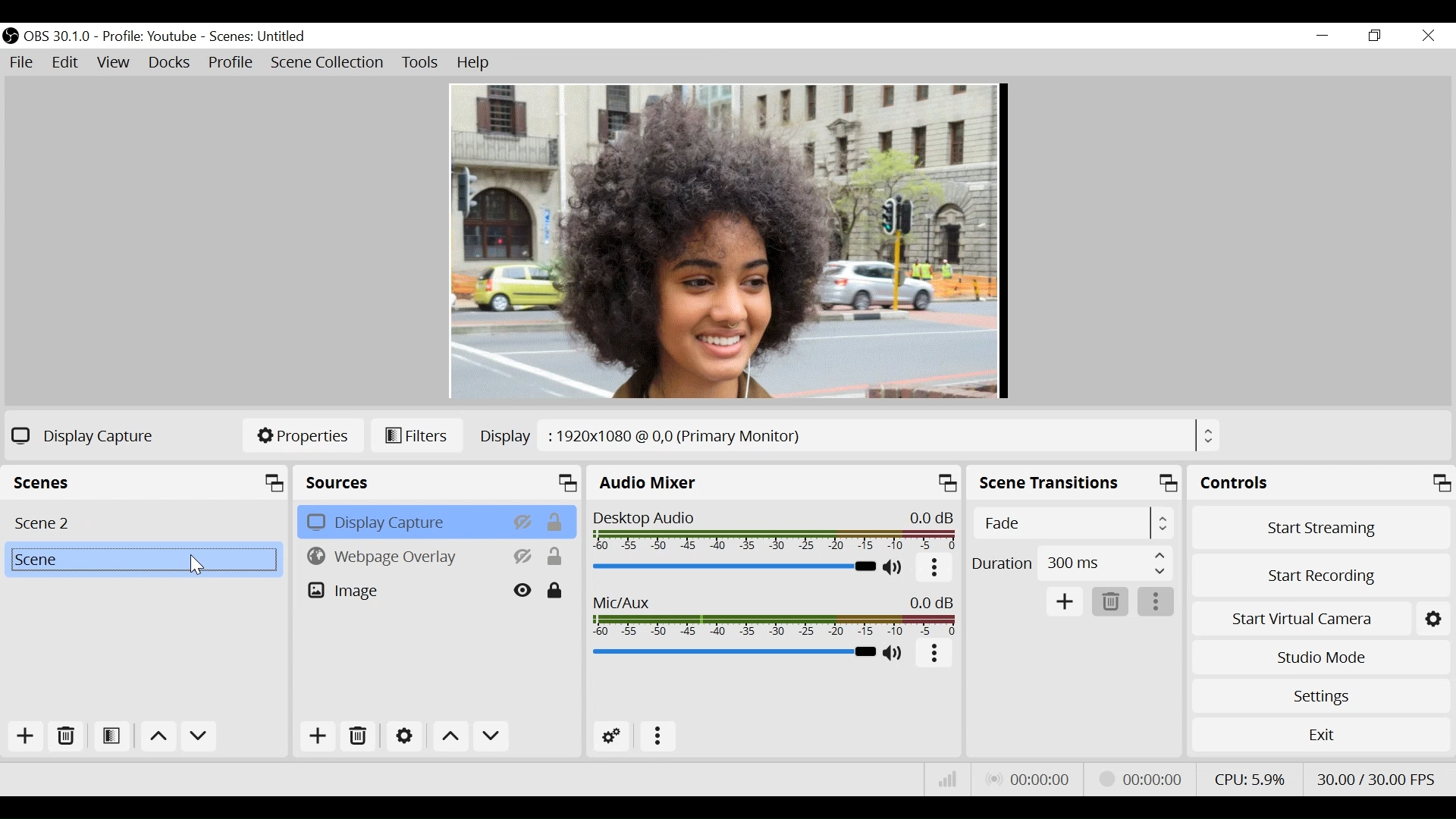 This screenshot has width=1456, height=819. Describe the element at coordinates (777, 528) in the screenshot. I see `Desktop Audio` at that location.